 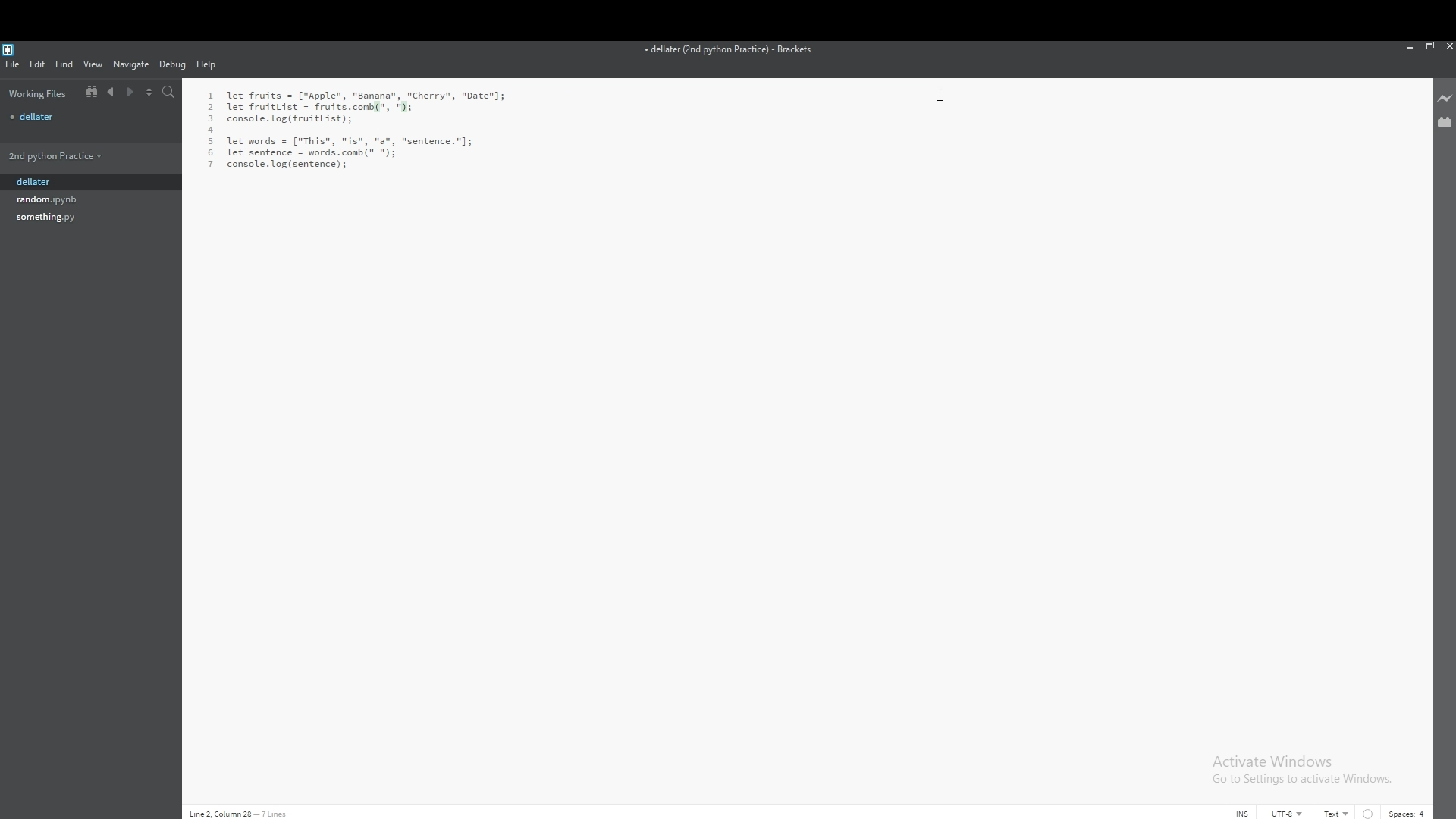 What do you see at coordinates (1429, 45) in the screenshot?
I see `resize` at bounding box center [1429, 45].